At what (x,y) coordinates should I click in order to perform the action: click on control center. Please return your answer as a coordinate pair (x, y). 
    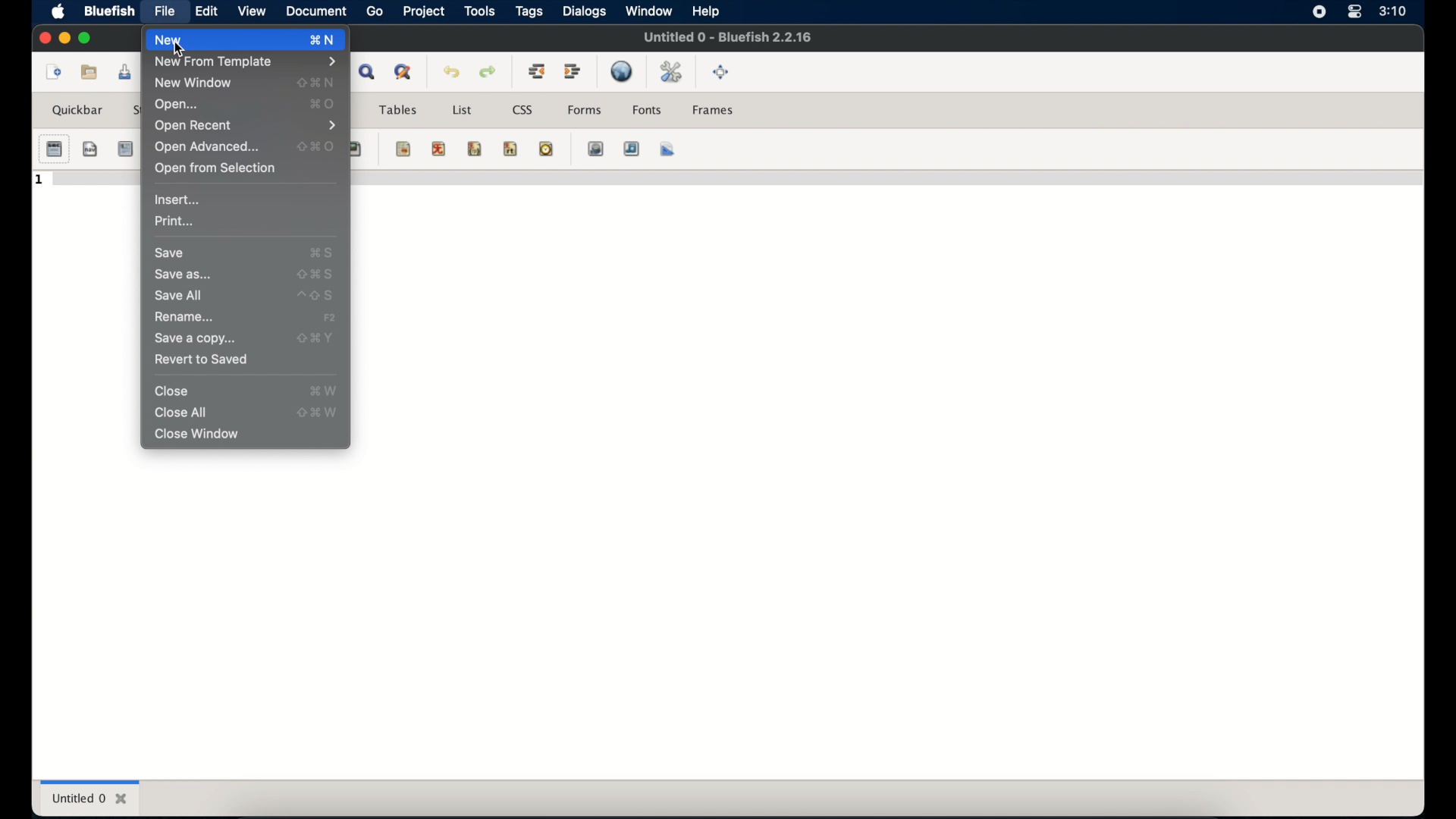
    Looking at the image, I should click on (1353, 12).